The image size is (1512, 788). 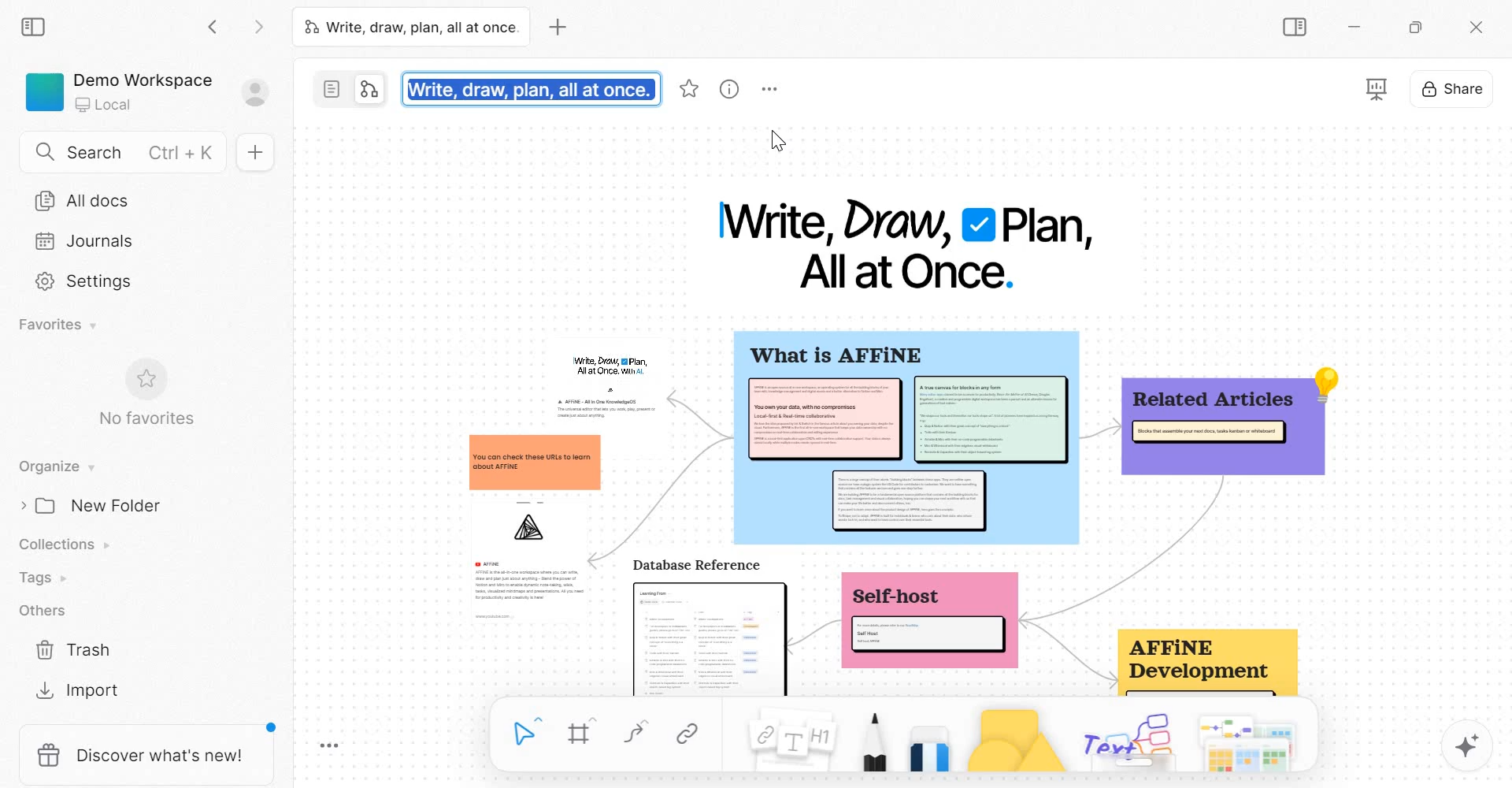 I want to click on Go back, so click(x=217, y=30).